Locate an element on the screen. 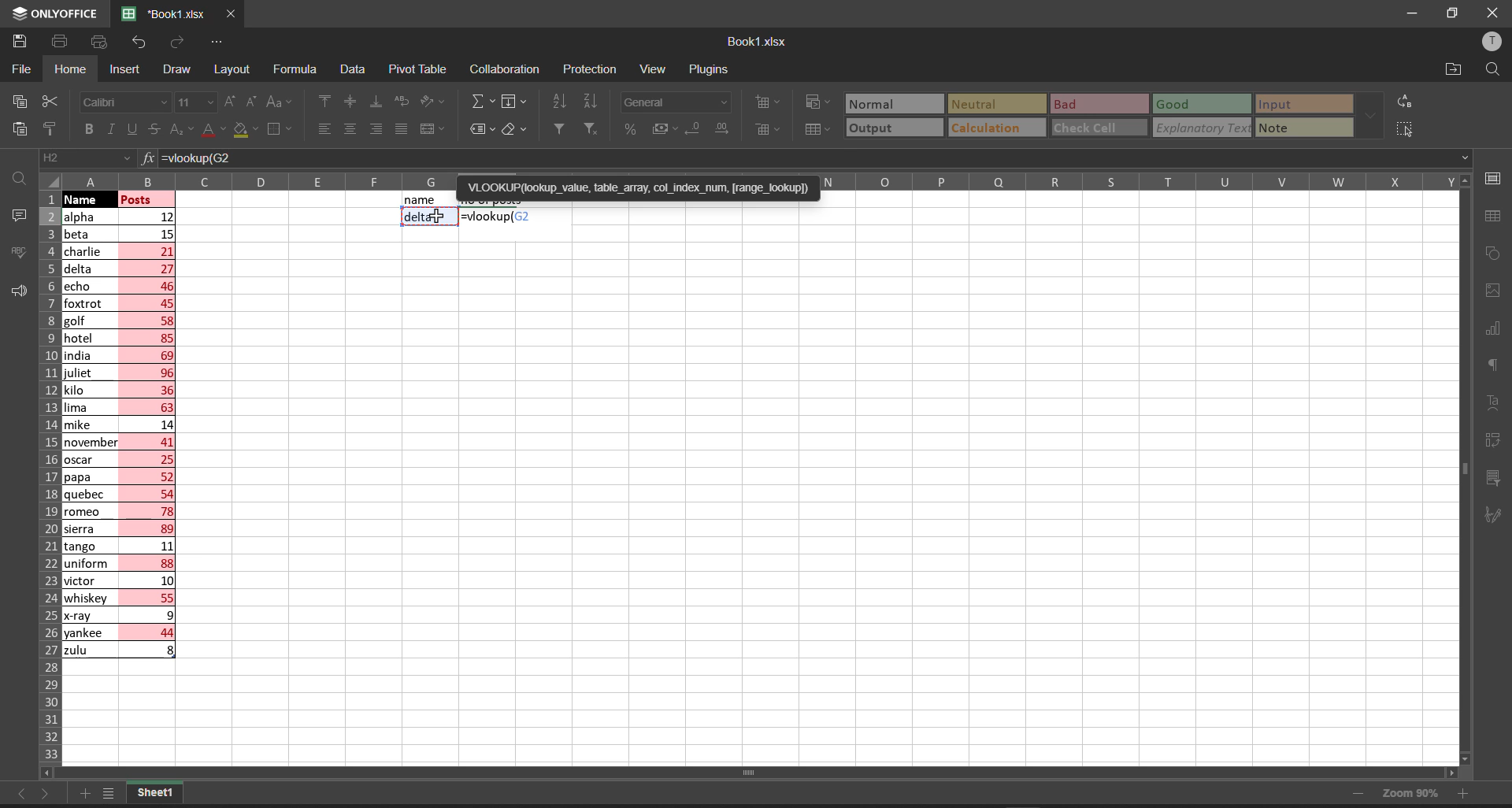  cell select is located at coordinates (489, 221).